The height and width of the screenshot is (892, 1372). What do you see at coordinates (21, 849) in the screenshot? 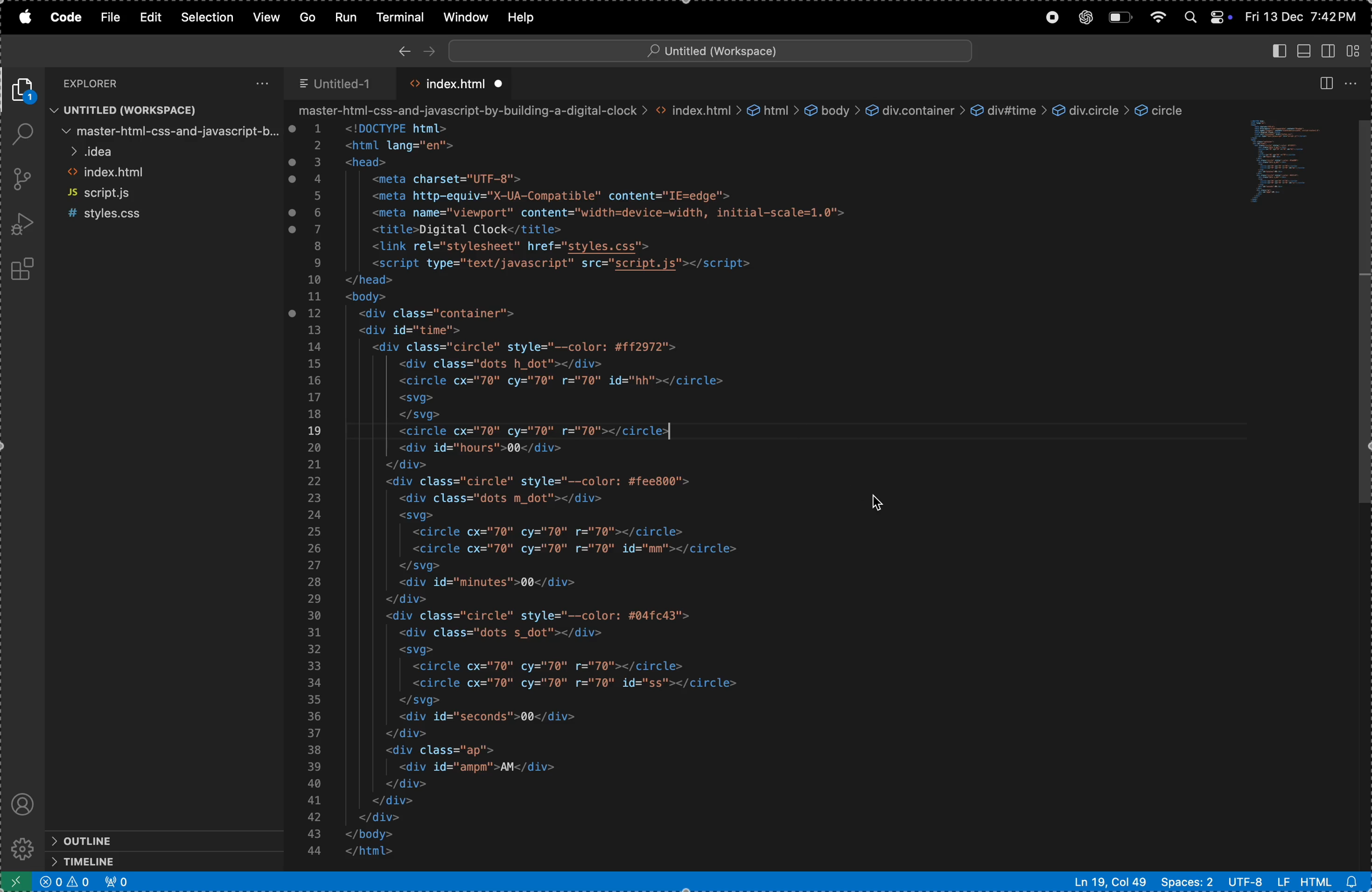
I see `settings` at bounding box center [21, 849].